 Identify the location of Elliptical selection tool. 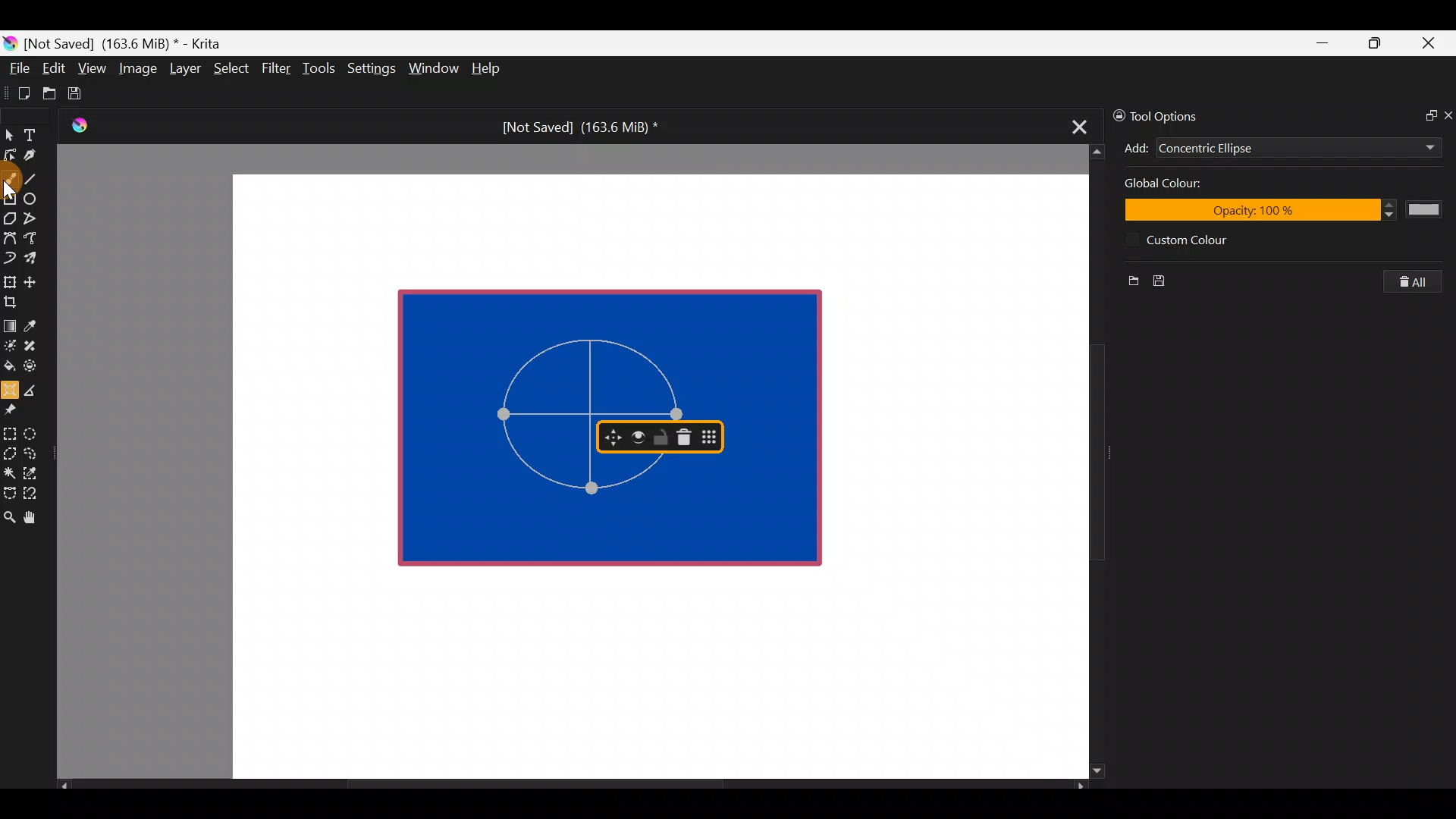
(36, 431).